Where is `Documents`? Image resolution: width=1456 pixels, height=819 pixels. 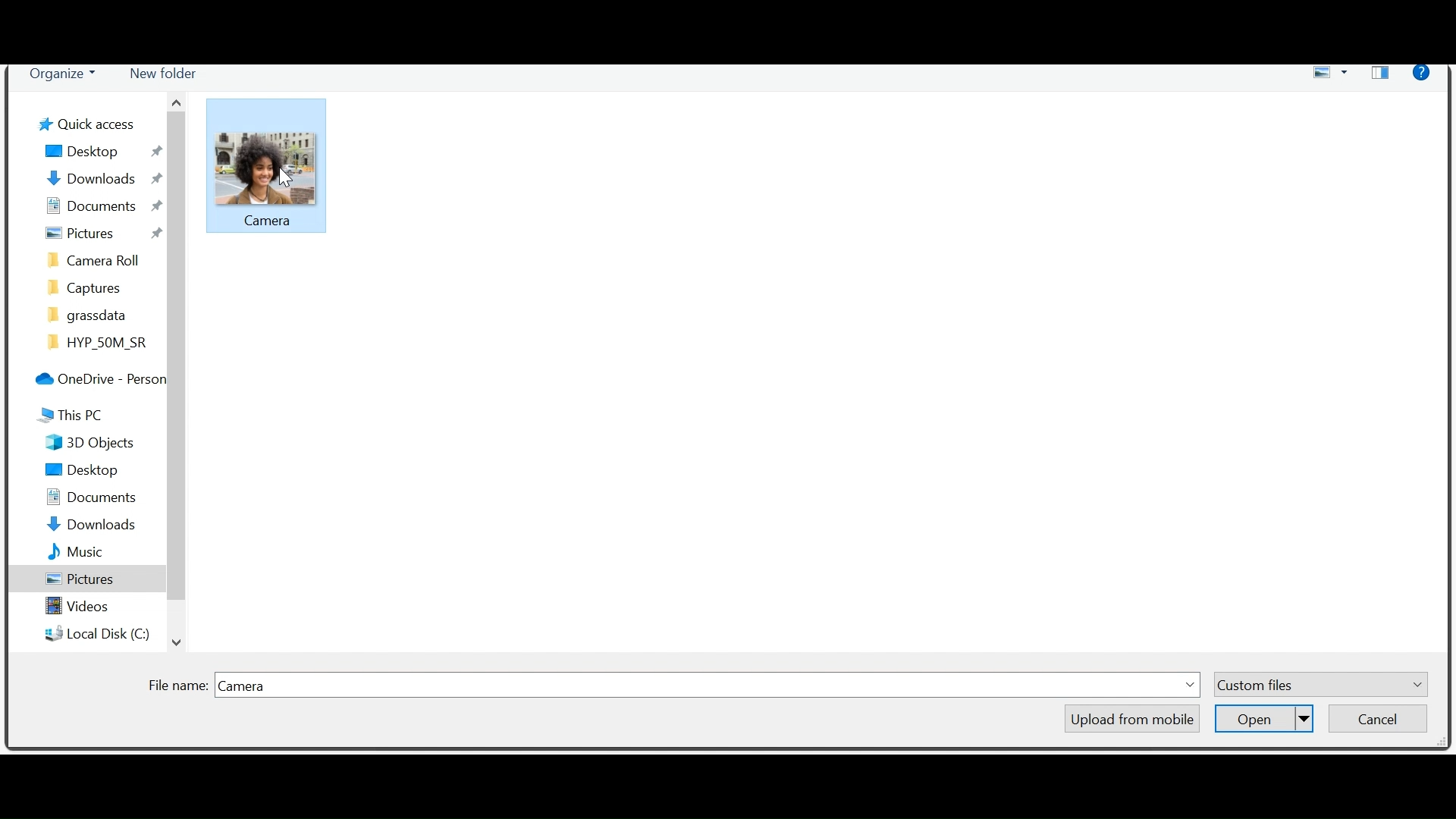
Documents is located at coordinates (89, 498).